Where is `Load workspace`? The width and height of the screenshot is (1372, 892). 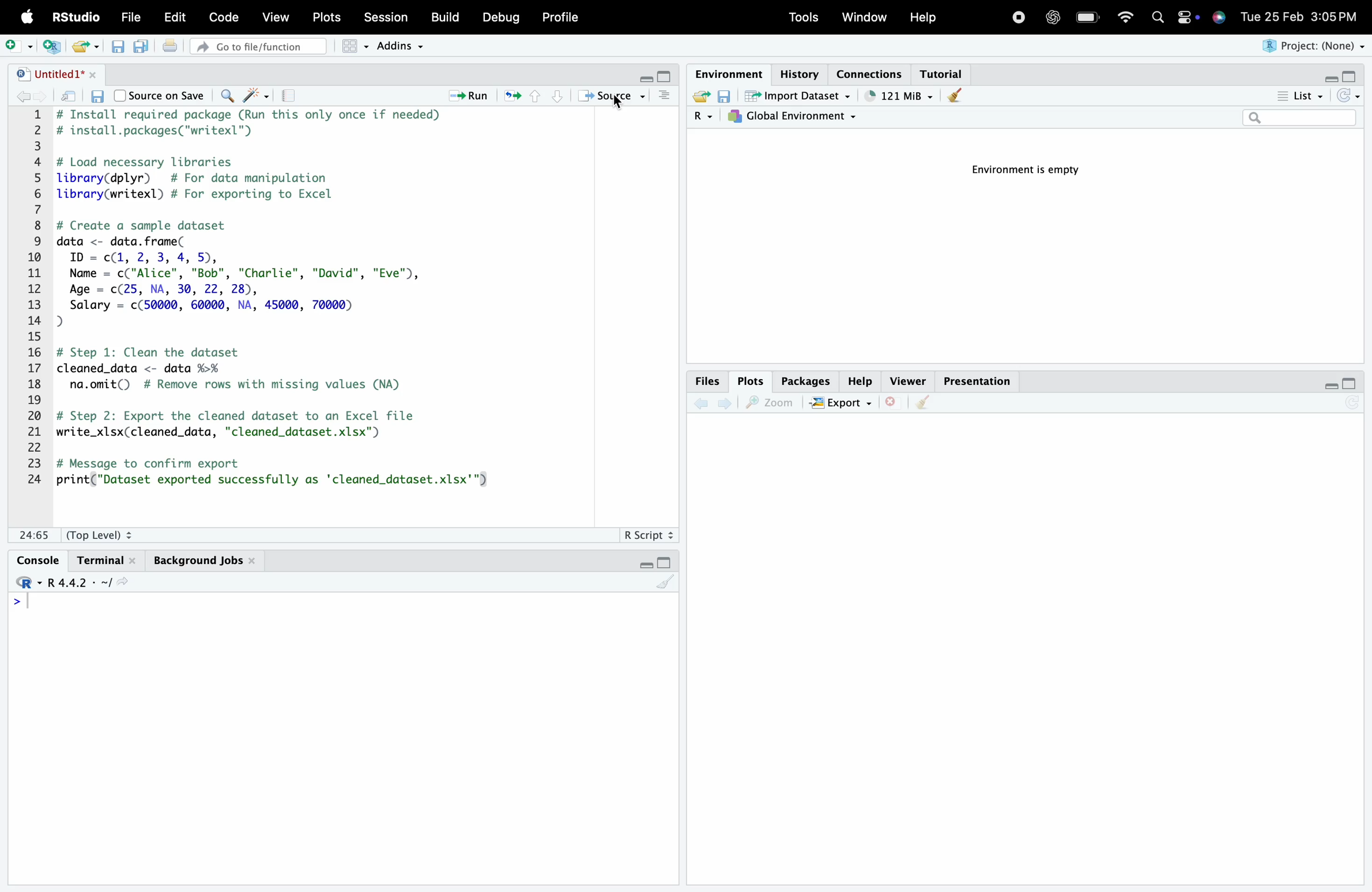 Load workspace is located at coordinates (700, 96).